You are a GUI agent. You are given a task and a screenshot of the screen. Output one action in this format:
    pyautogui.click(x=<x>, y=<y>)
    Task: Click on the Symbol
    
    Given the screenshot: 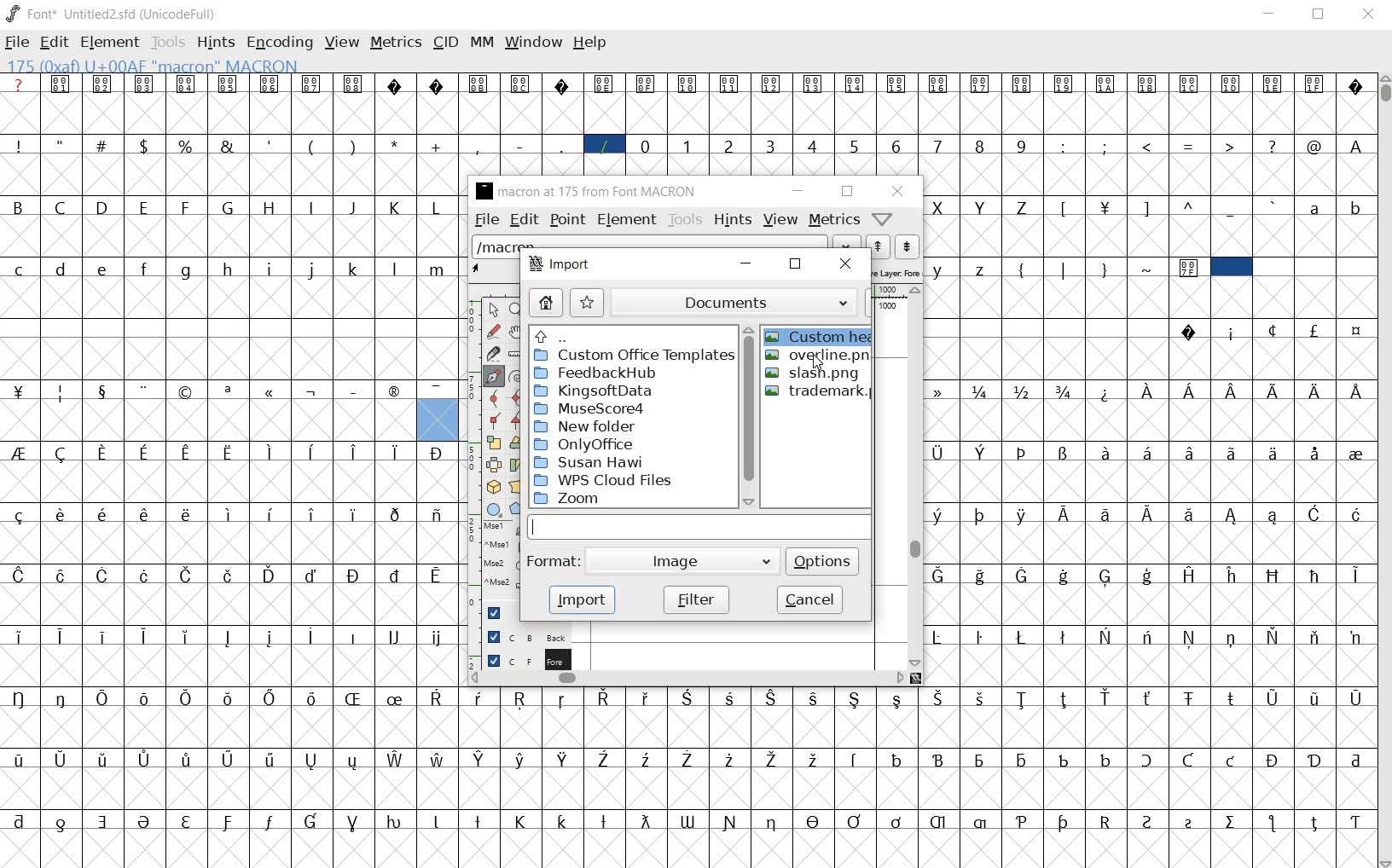 What is the action you would take?
    pyautogui.click(x=815, y=84)
    